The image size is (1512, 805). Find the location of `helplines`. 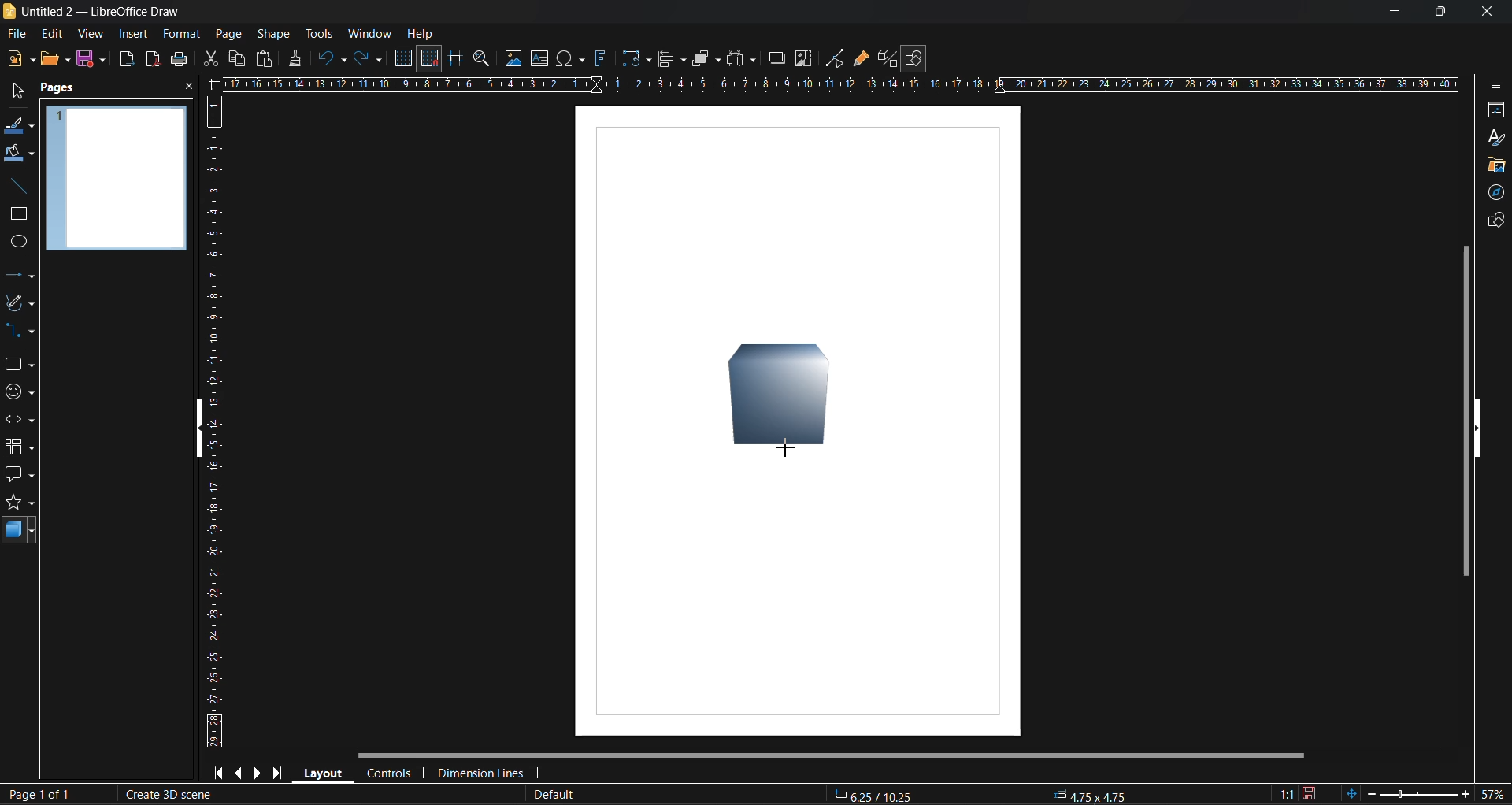

helplines is located at coordinates (456, 61).